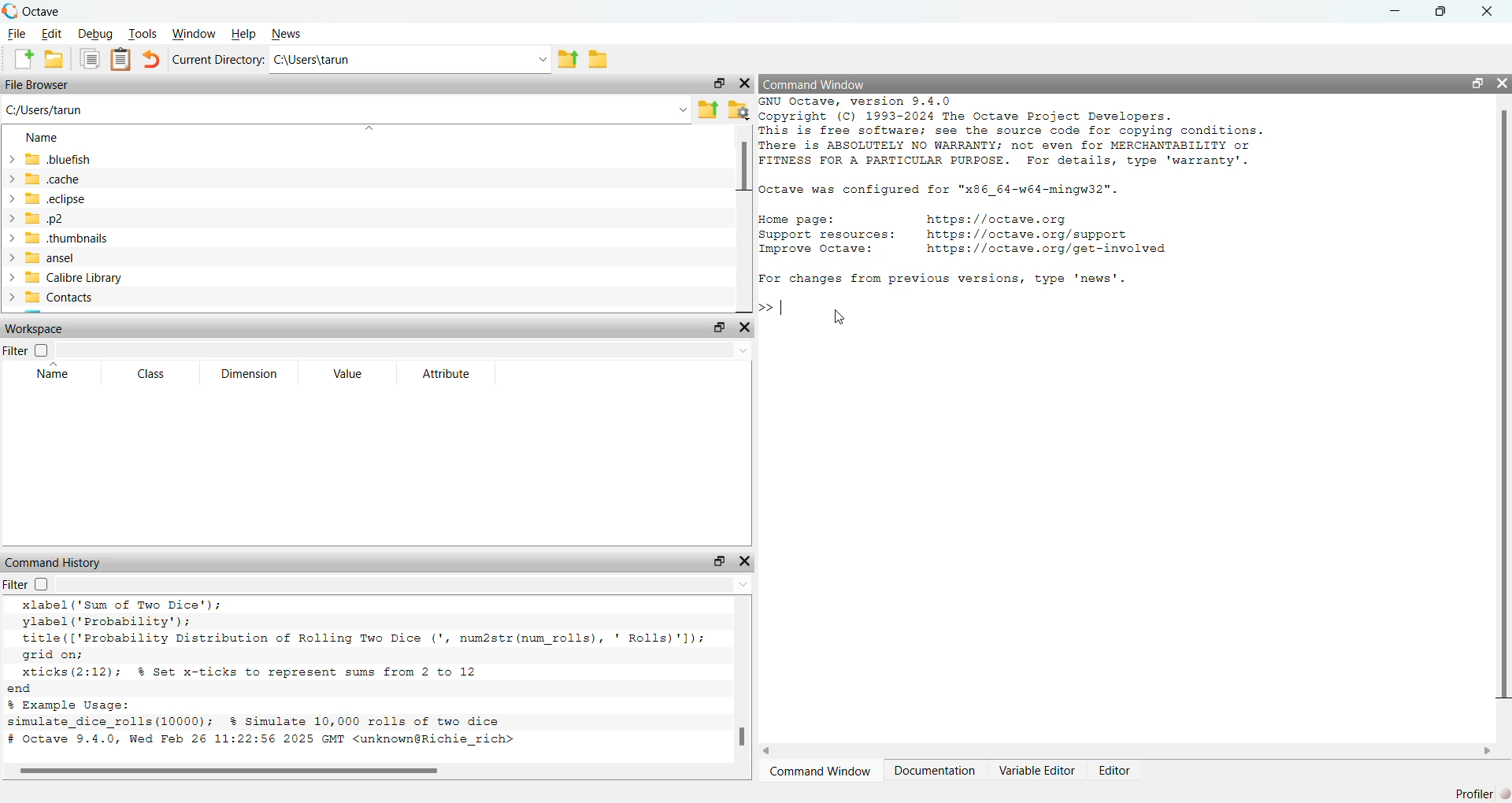 The height and width of the screenshot is (803, 1512). I want to click on Editor, so click(1115, 770).